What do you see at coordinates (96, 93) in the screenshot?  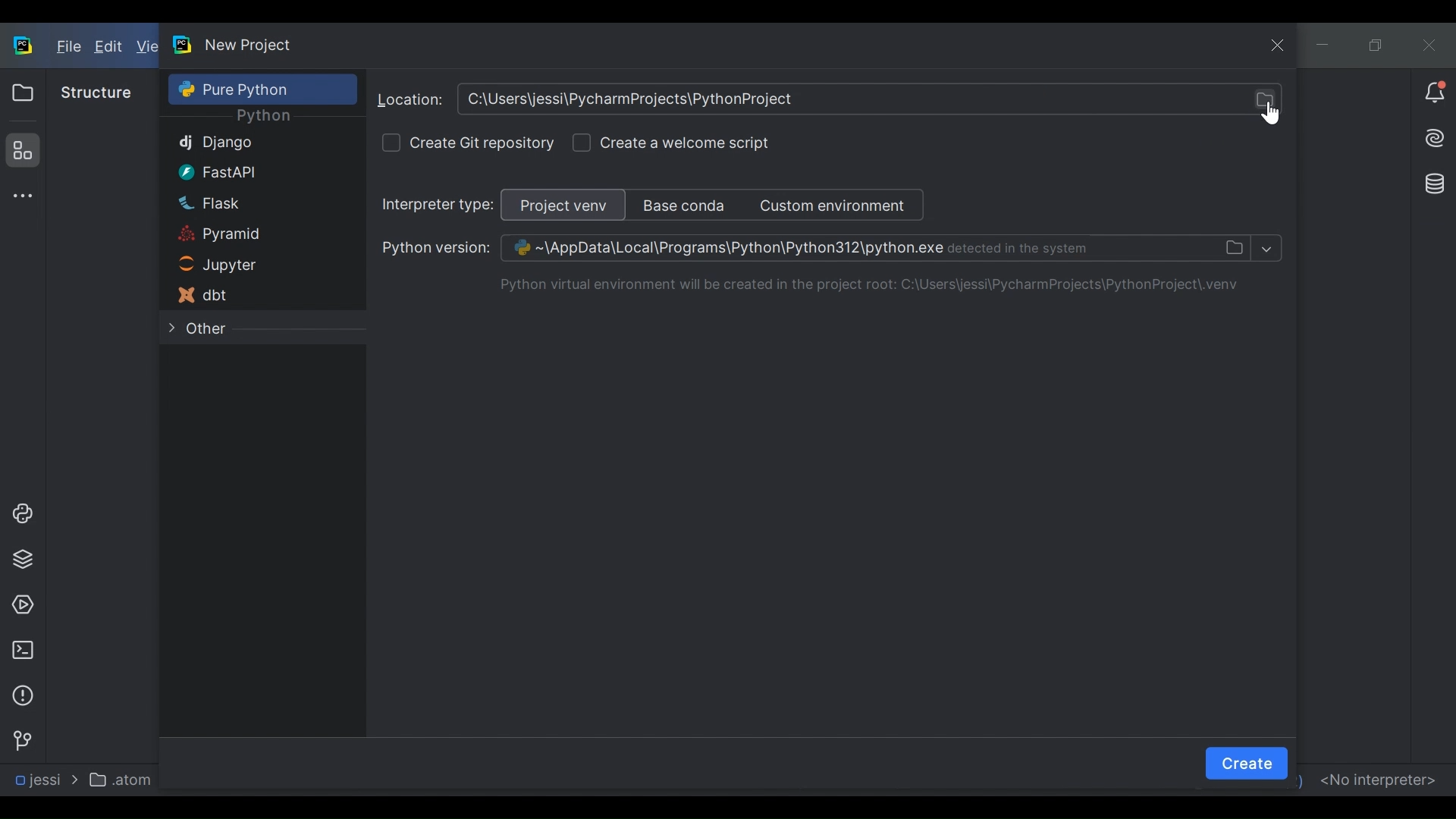 I see `Structure` at bounding box center [96, 93].